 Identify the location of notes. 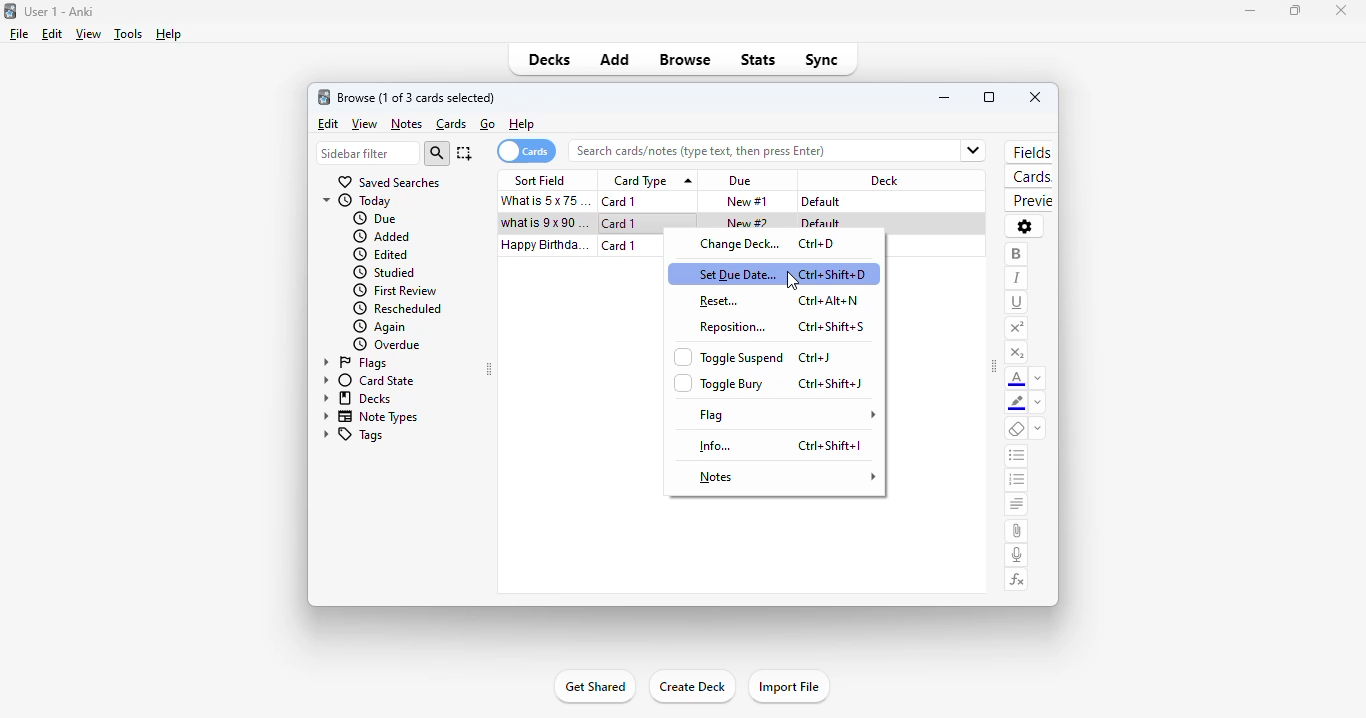
(407, 124).